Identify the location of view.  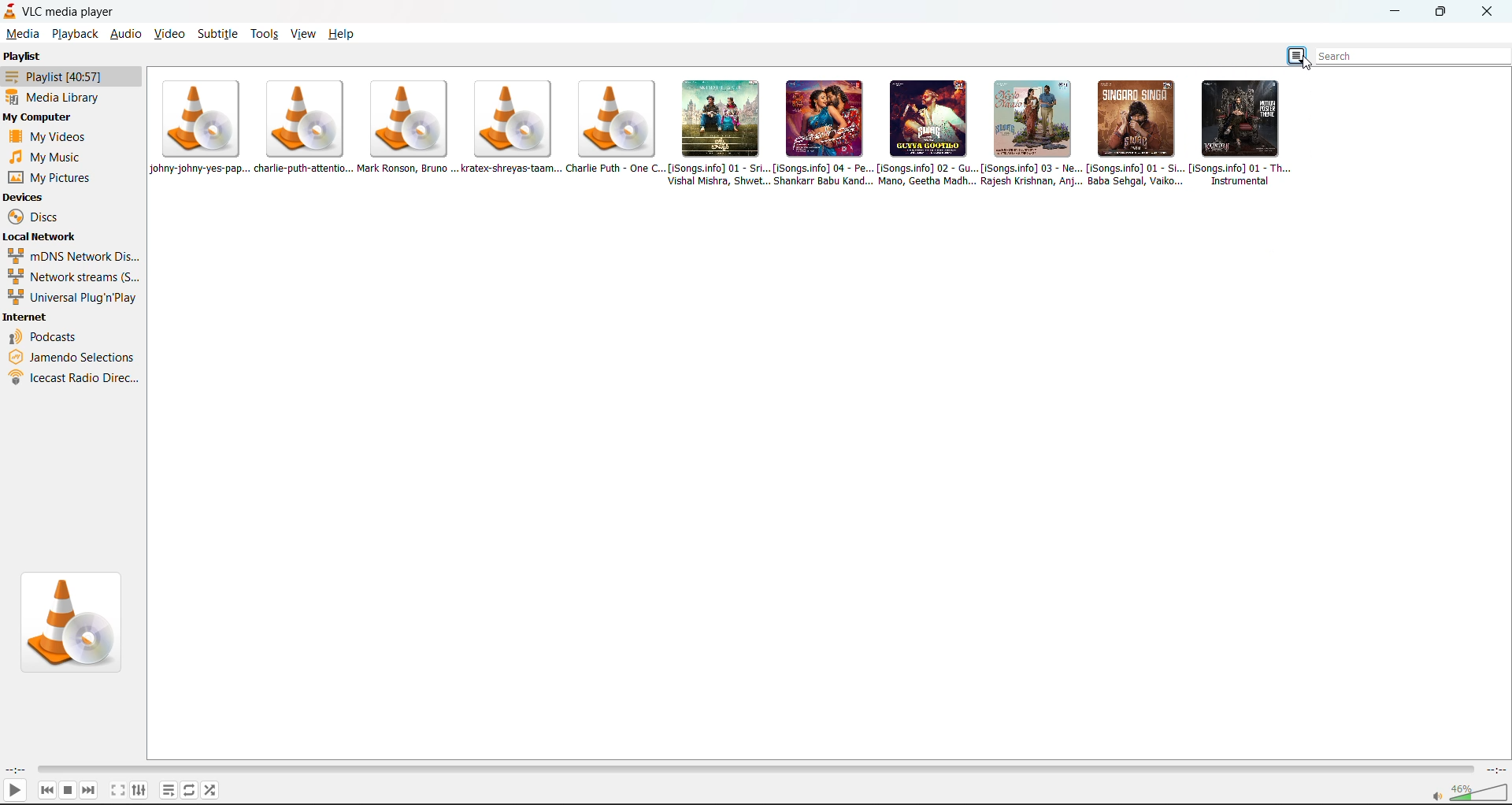
(305, 34).